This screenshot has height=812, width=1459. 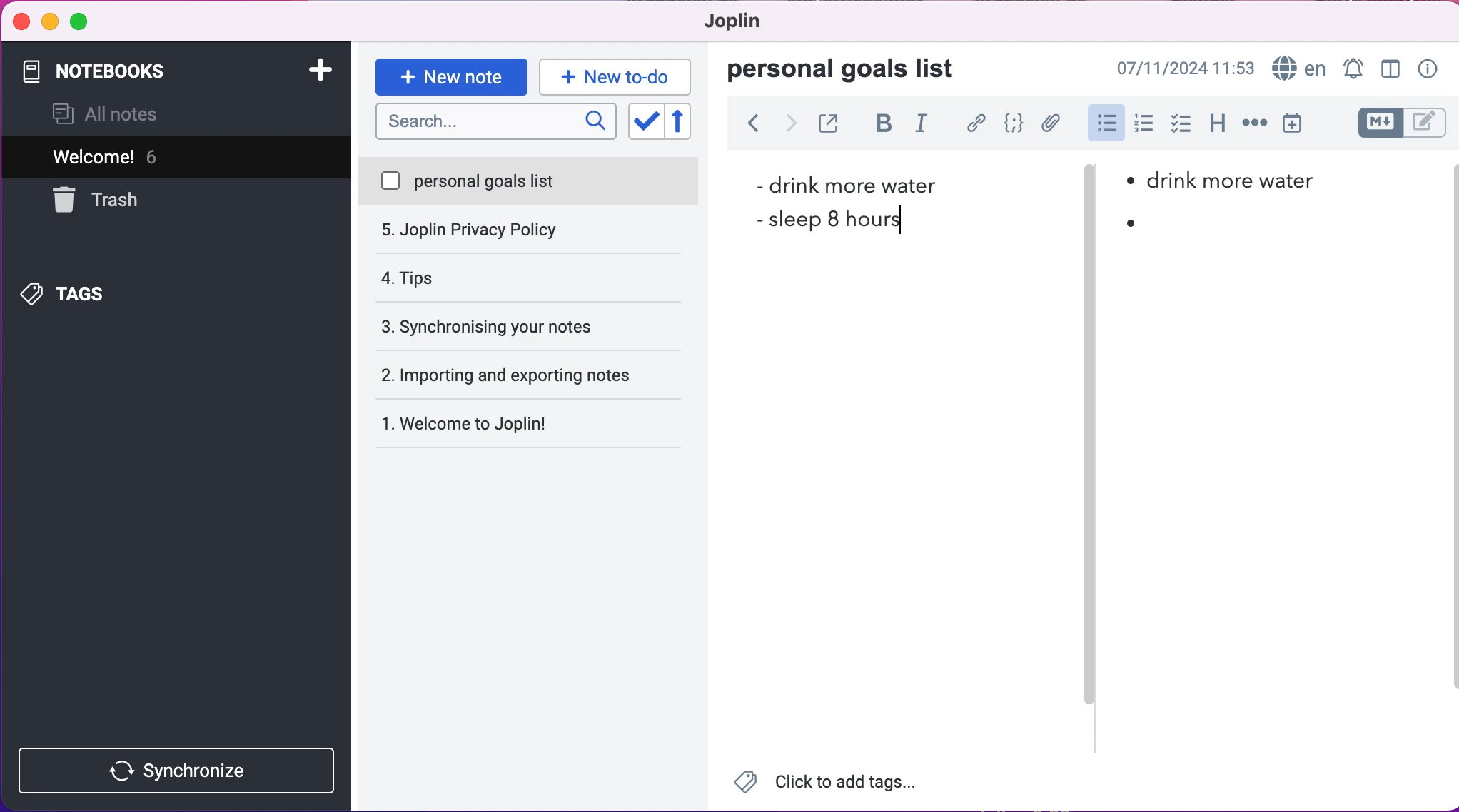 What do you see at coordinates (323, 73) in the screenshot?
I see `add notebook` at bounding box center [323, 73].